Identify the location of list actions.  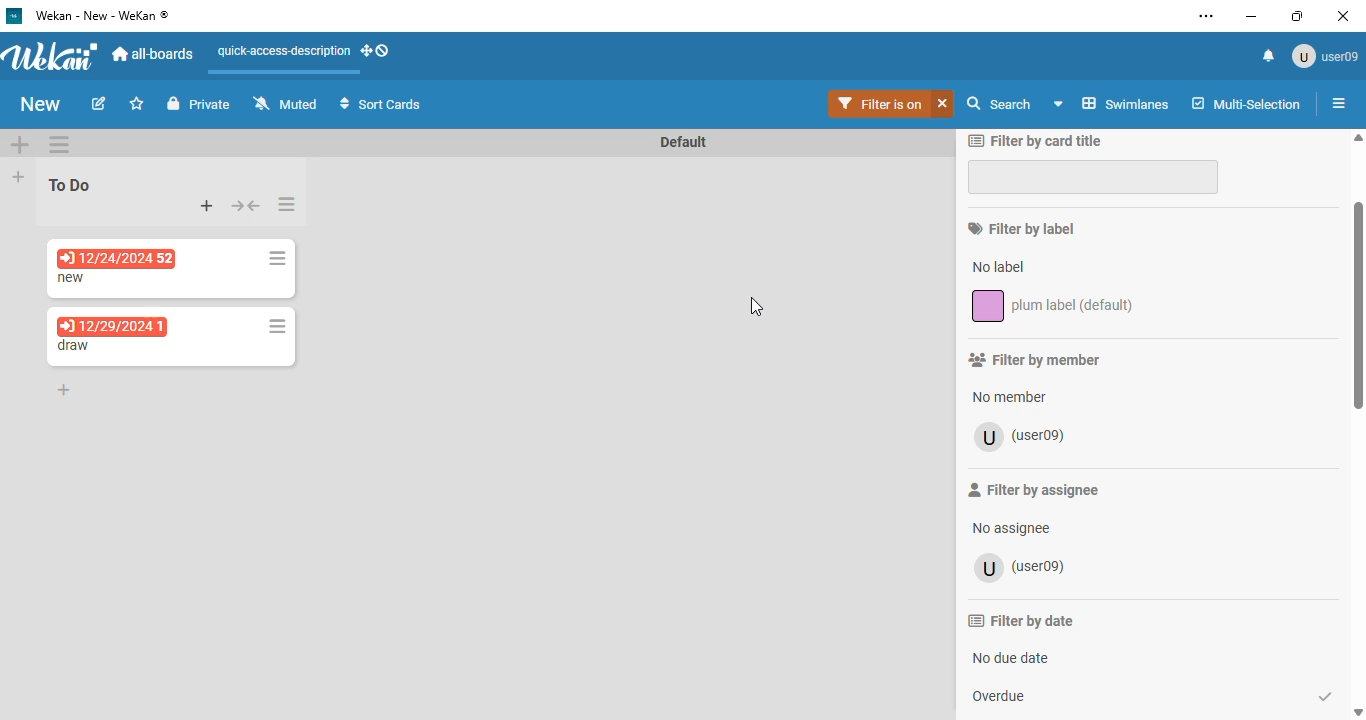
(288, 204).